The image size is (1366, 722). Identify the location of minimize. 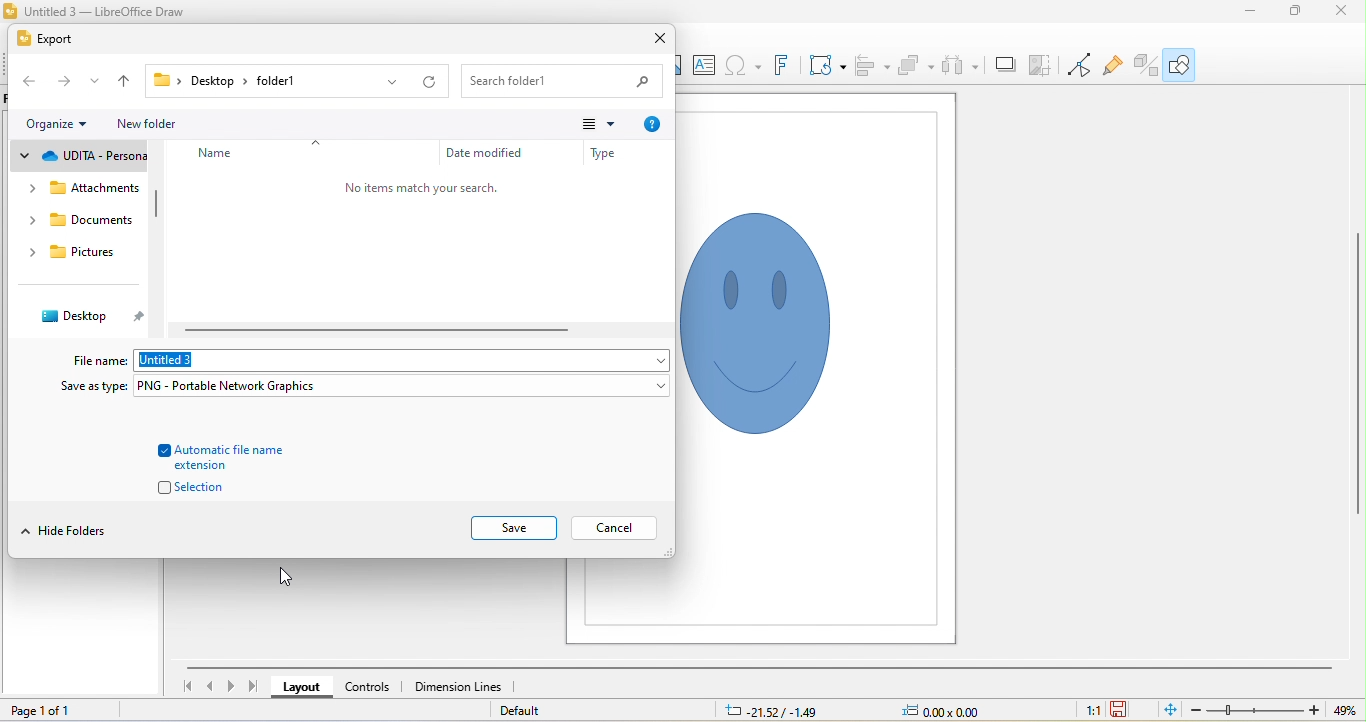
(1251, 11).